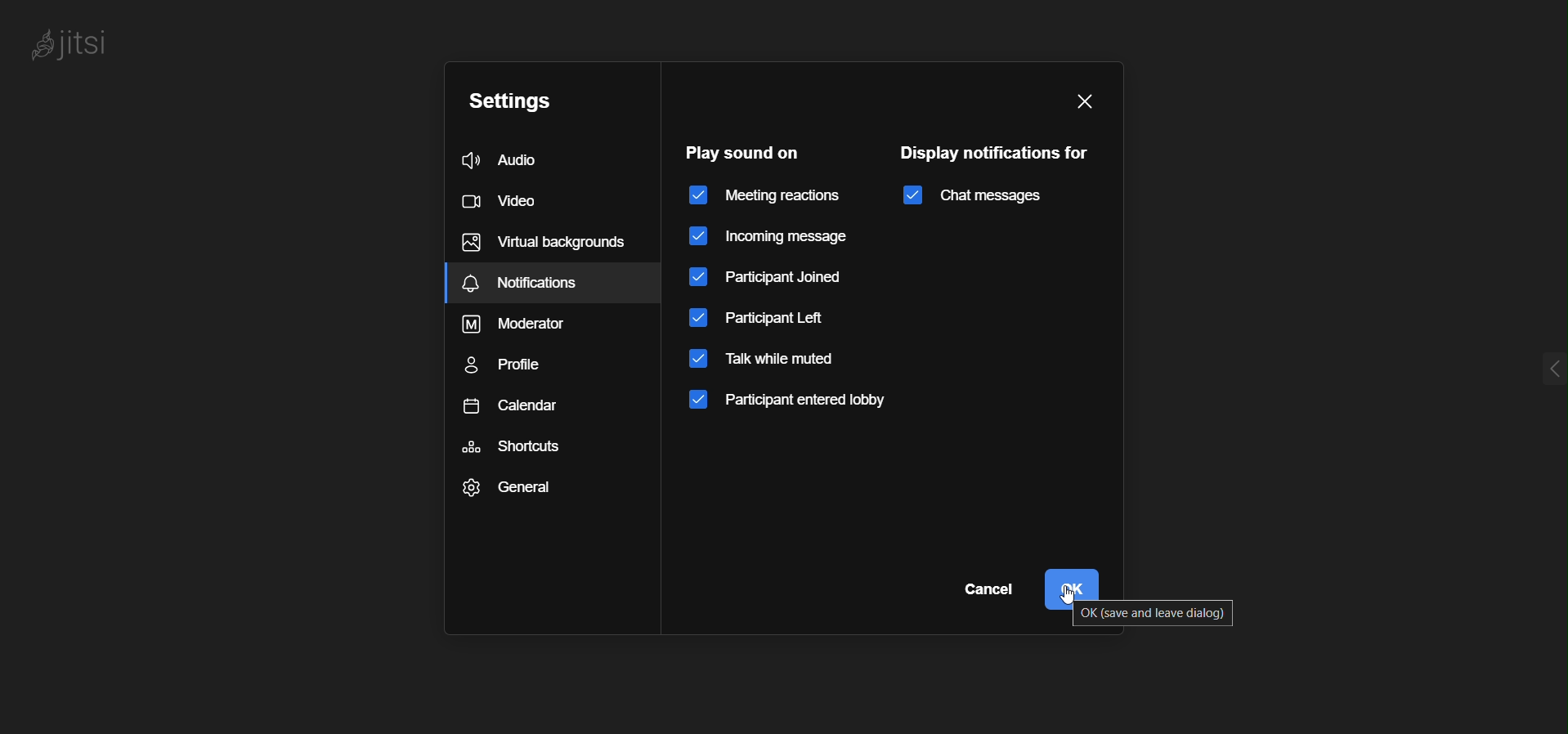 This screenshot has height=734, width=1568. I want to click on calendar, so click(528, 407).